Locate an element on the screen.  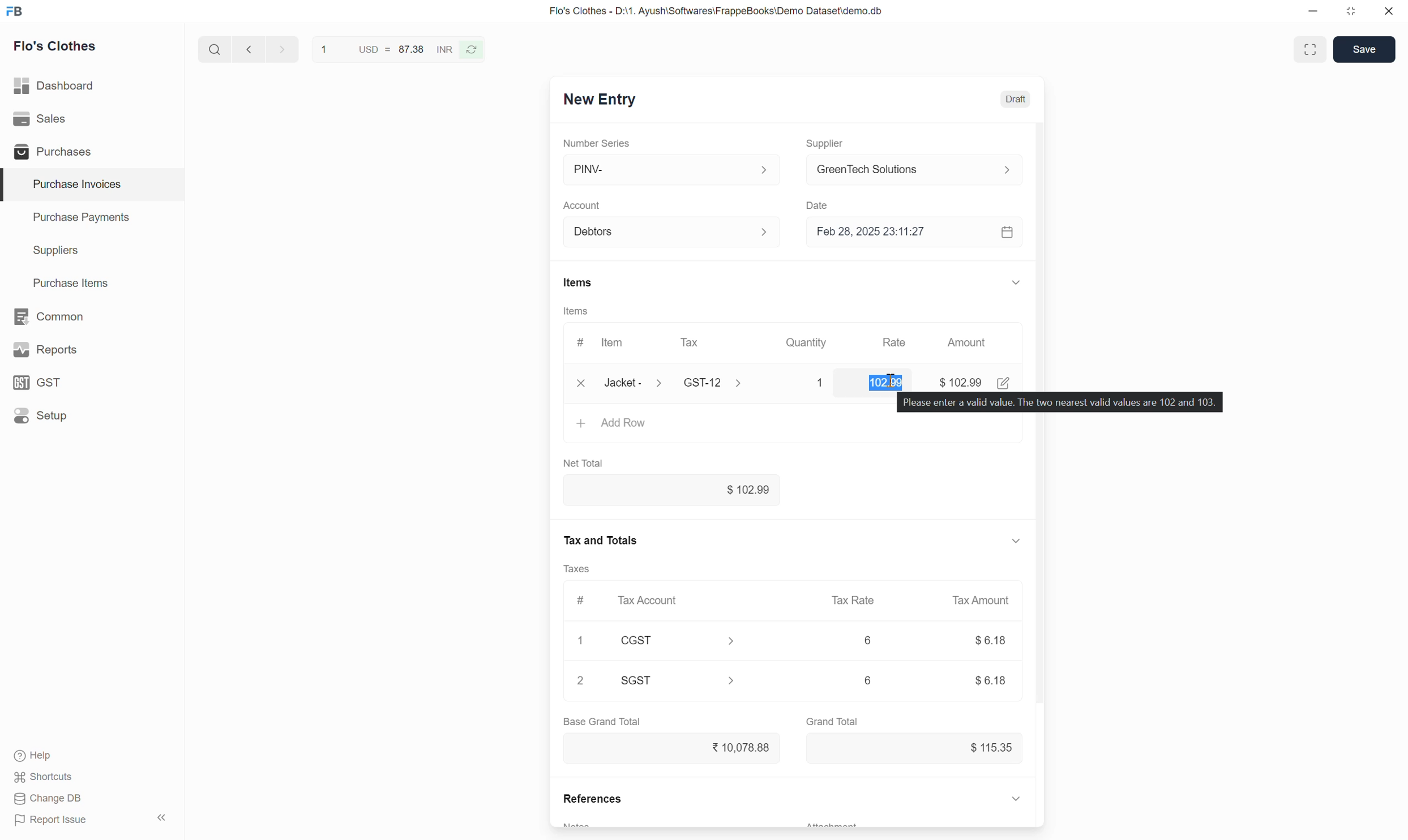
102.99 is located at coordinates (875, 379).